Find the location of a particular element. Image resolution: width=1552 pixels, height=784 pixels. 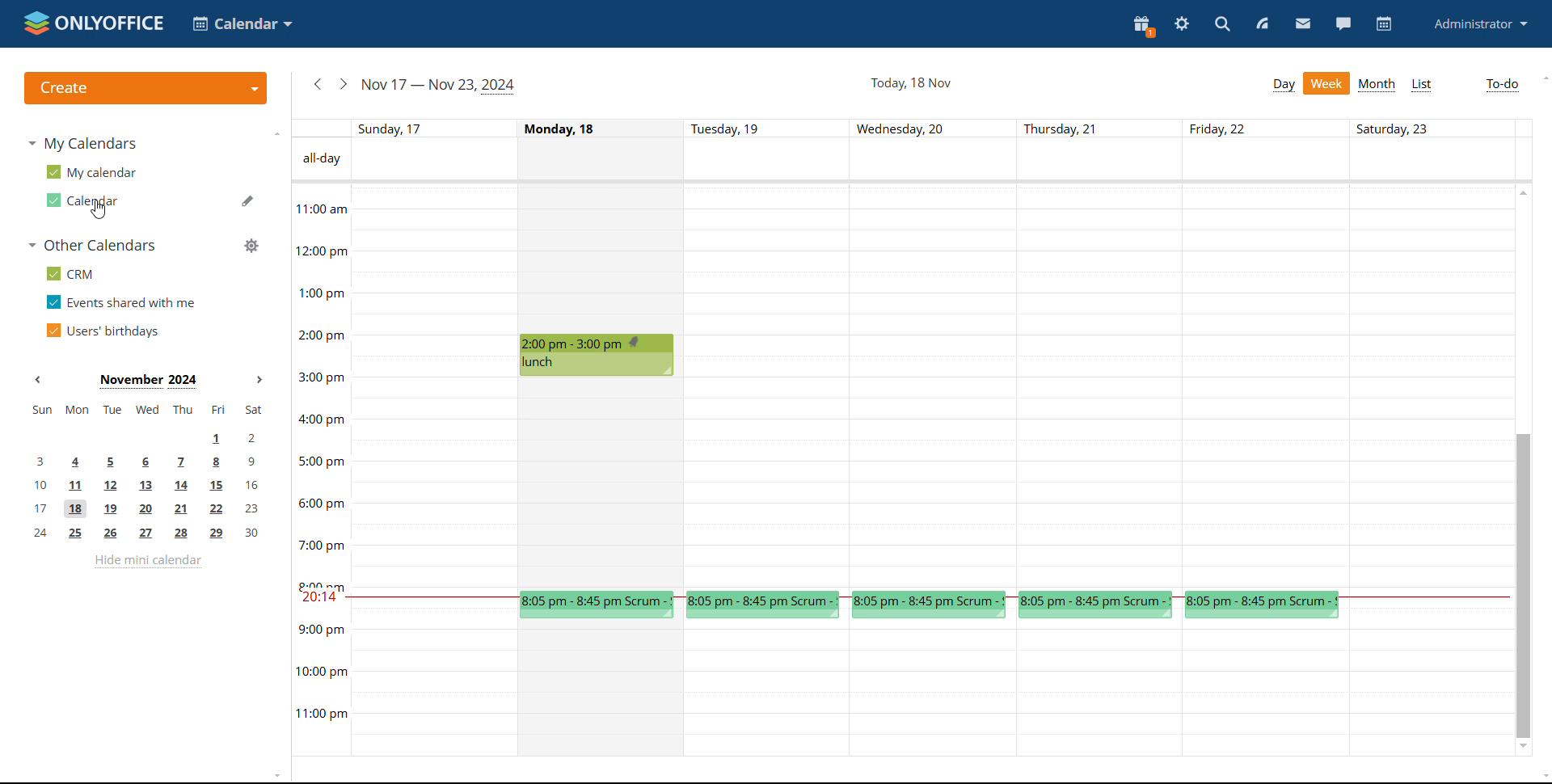

all-day event is located at coordinates (941, 162).